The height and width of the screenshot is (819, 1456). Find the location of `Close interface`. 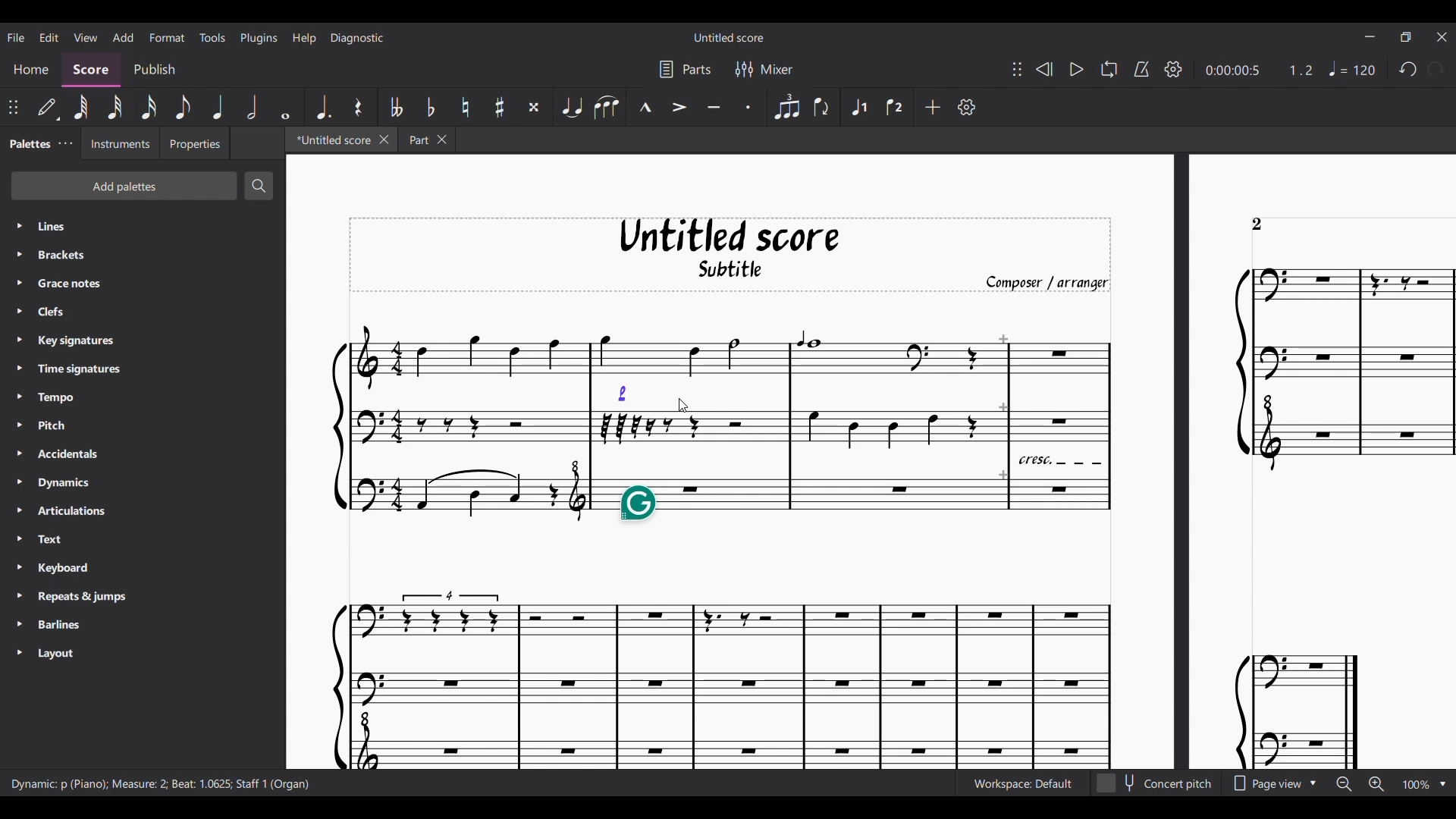

Close interface is located at coordinates (1442, 37).